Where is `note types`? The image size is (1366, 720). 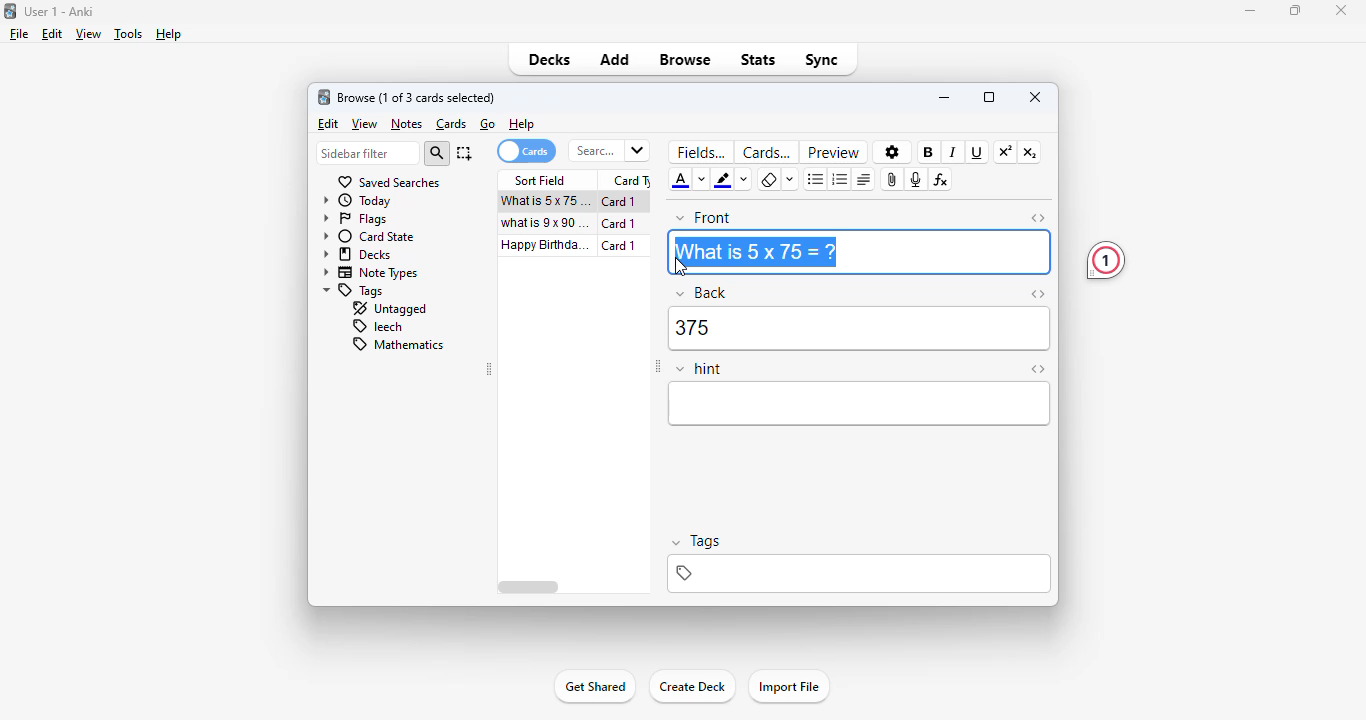 note types is located at coordinates (368, 273).